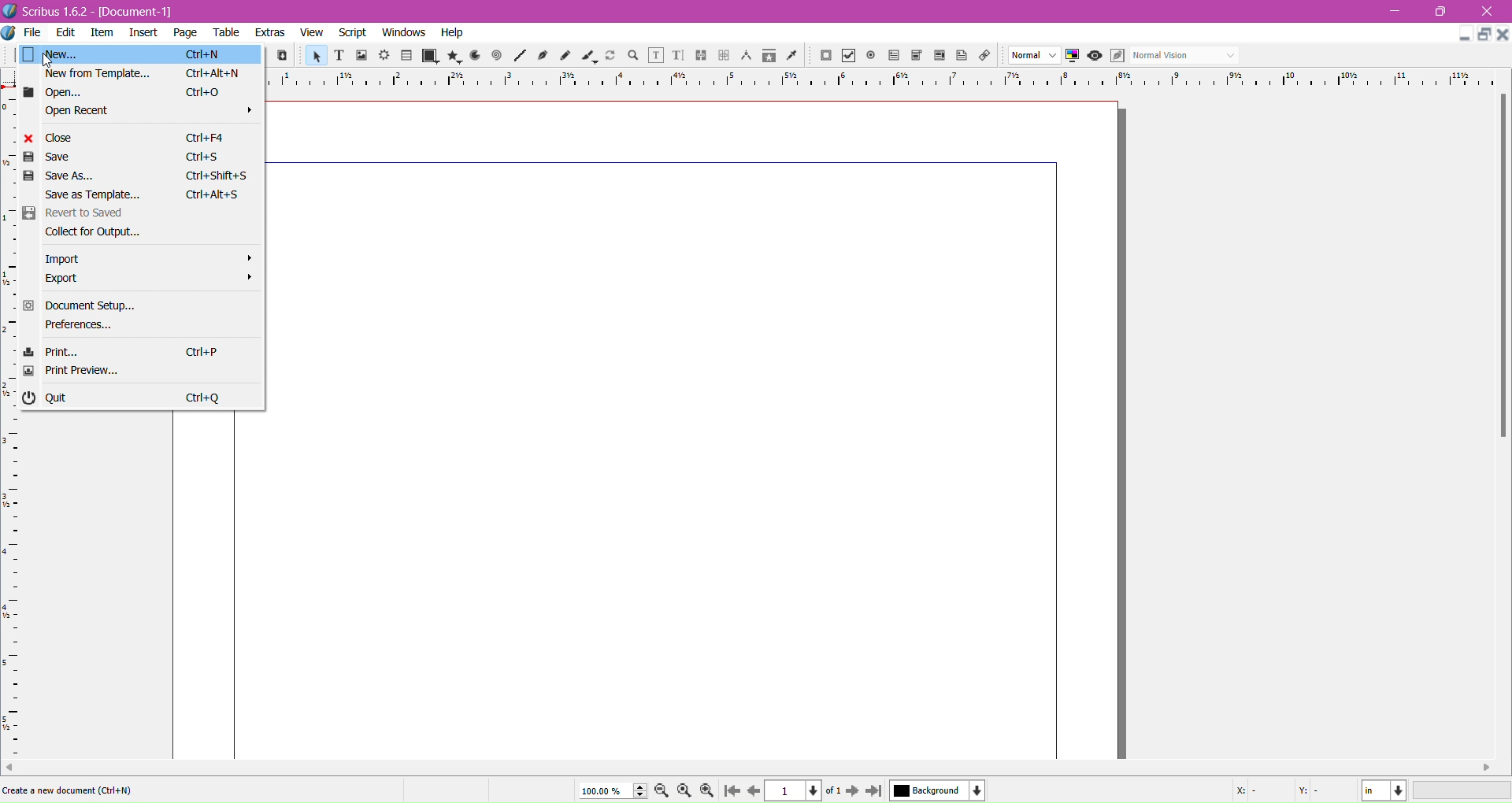  I want to click on Document Setup, so click(135, 305).